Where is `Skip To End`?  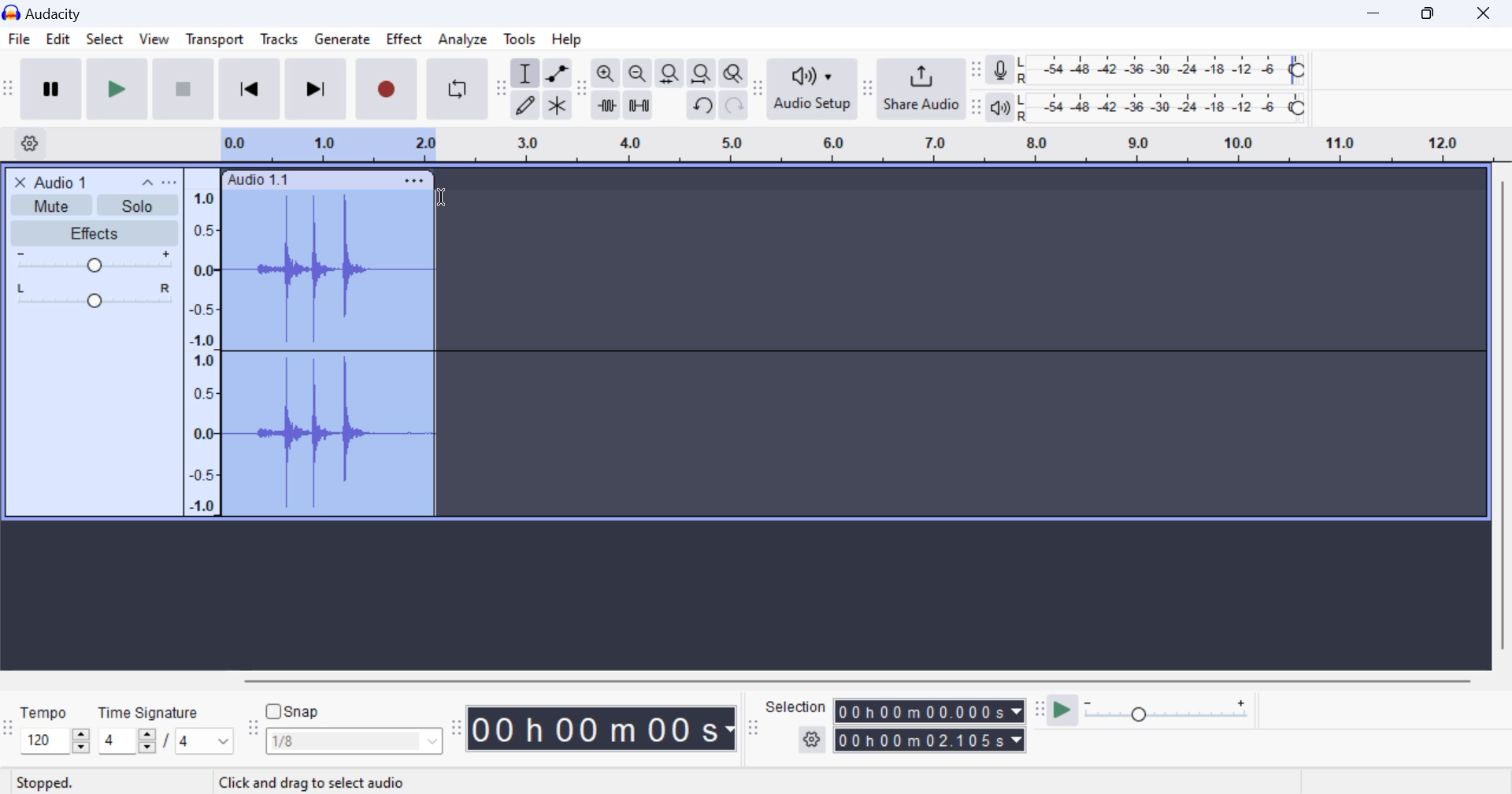 Skip To End is located at coordinates (313, 92).